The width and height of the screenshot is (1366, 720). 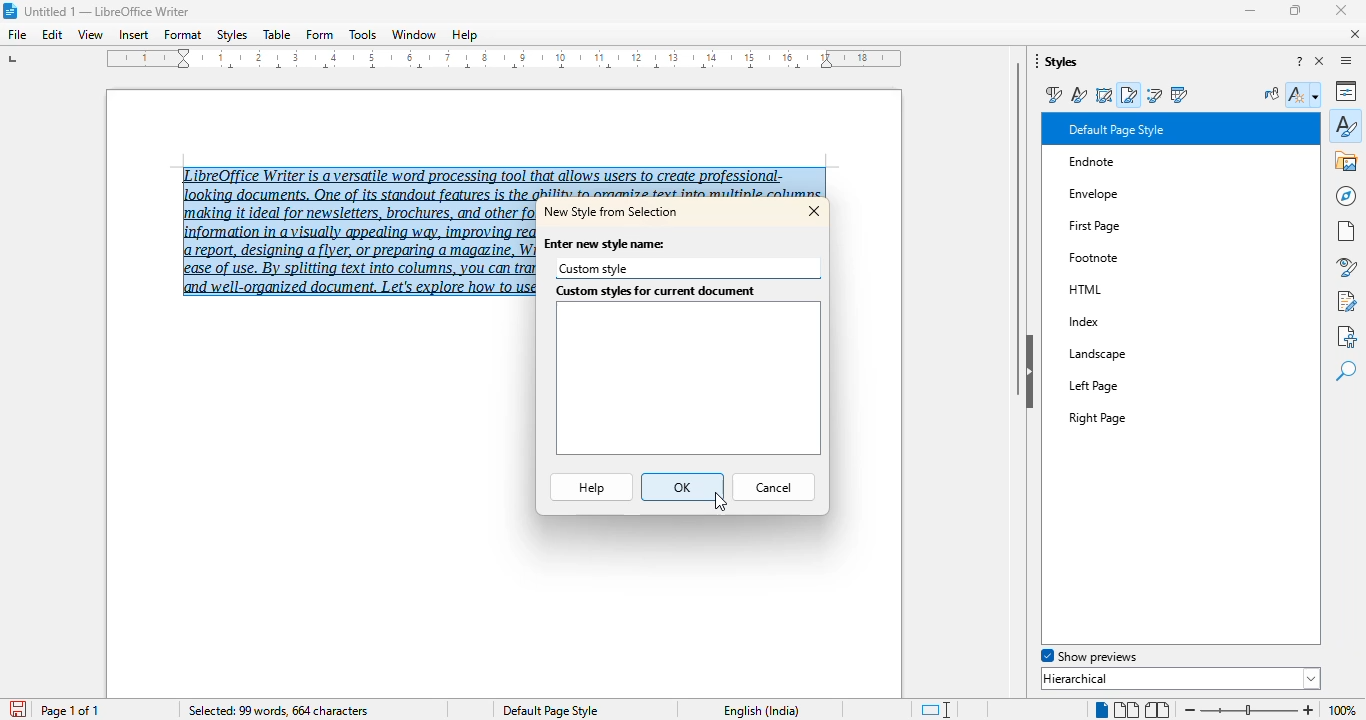 I want to click on OK, so click(x=681, y=487).